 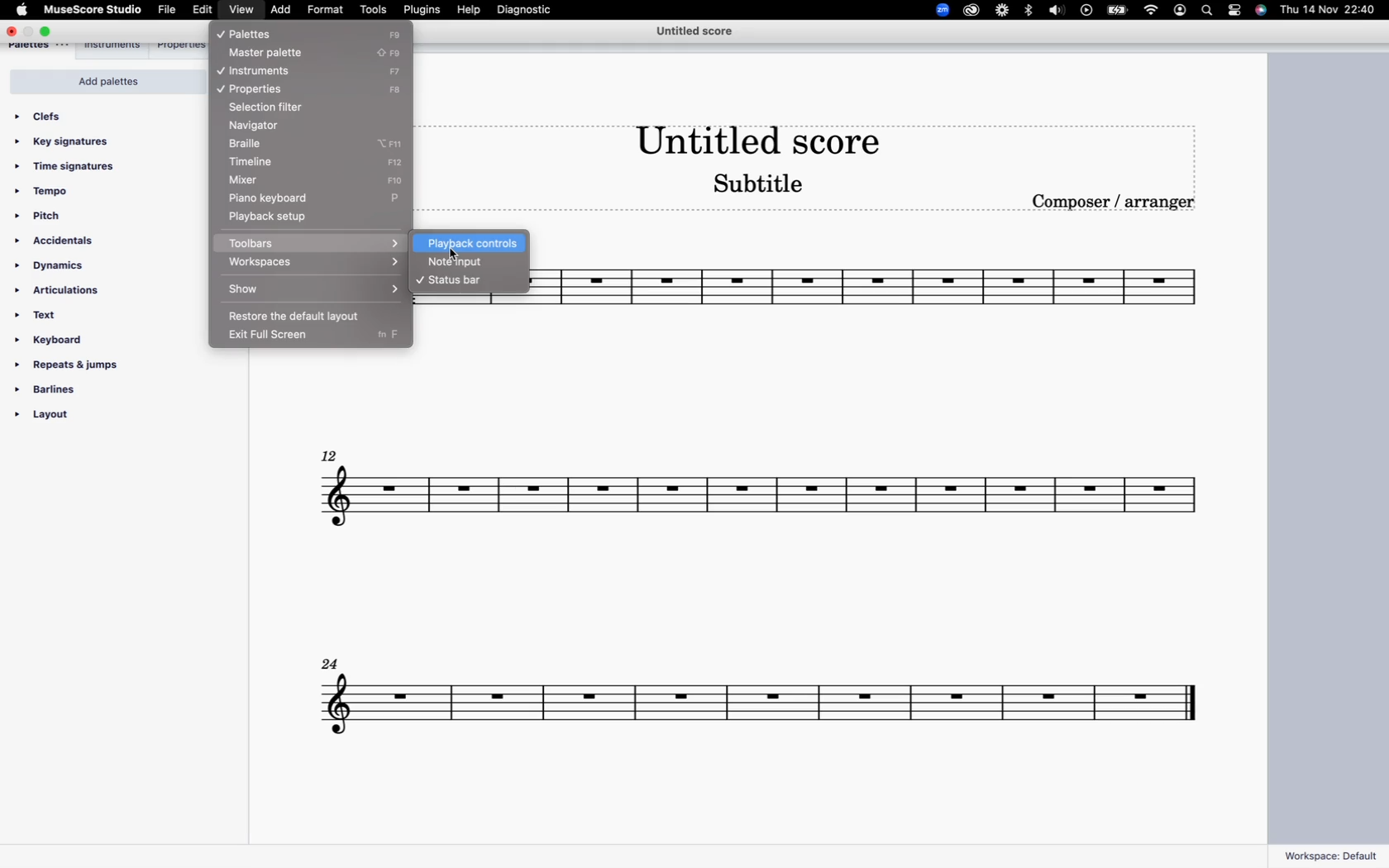 I want to click on barlines, so click(x=60, y=389).